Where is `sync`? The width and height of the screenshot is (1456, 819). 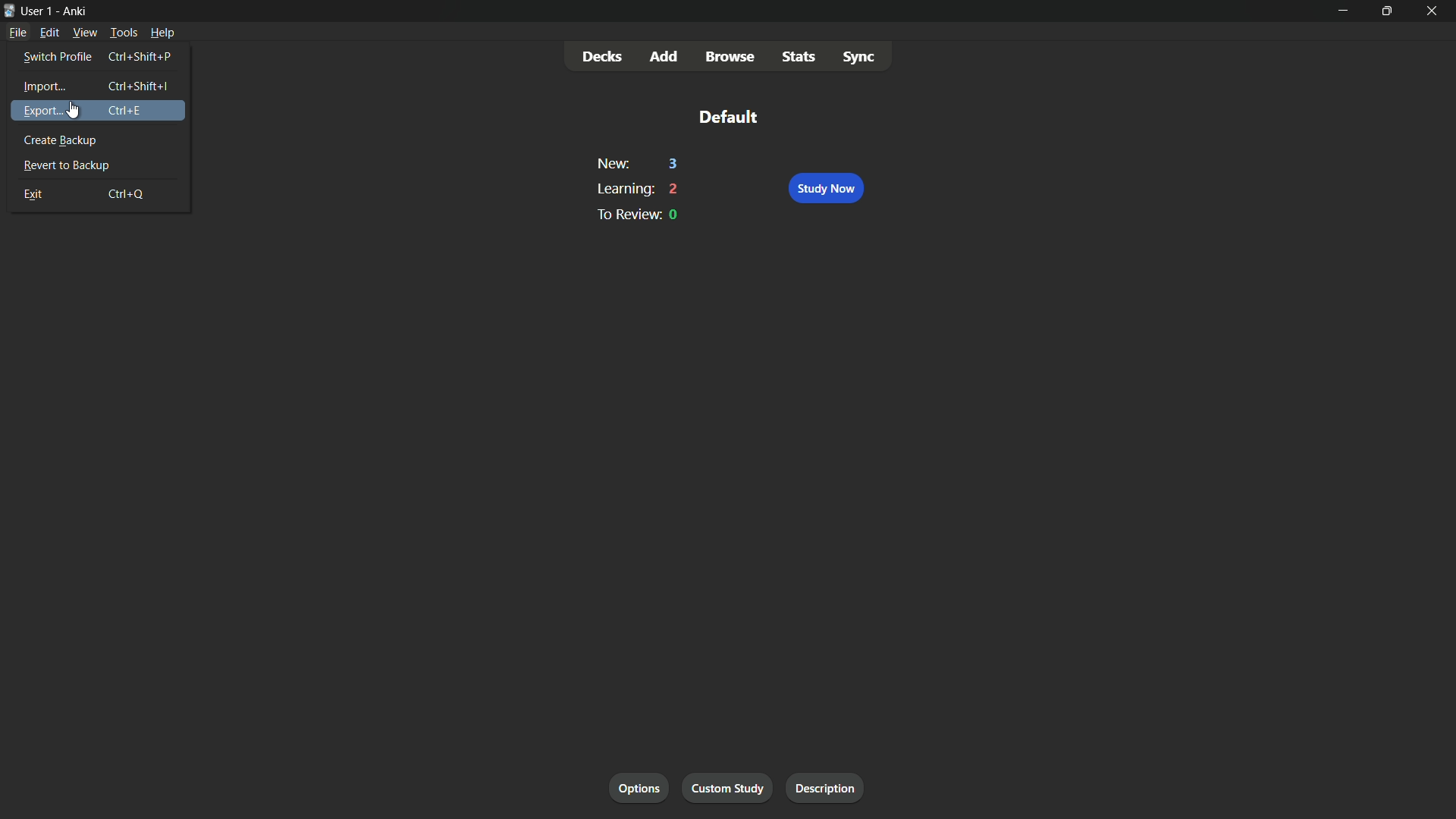
sync is located at coordinates (858, 55).